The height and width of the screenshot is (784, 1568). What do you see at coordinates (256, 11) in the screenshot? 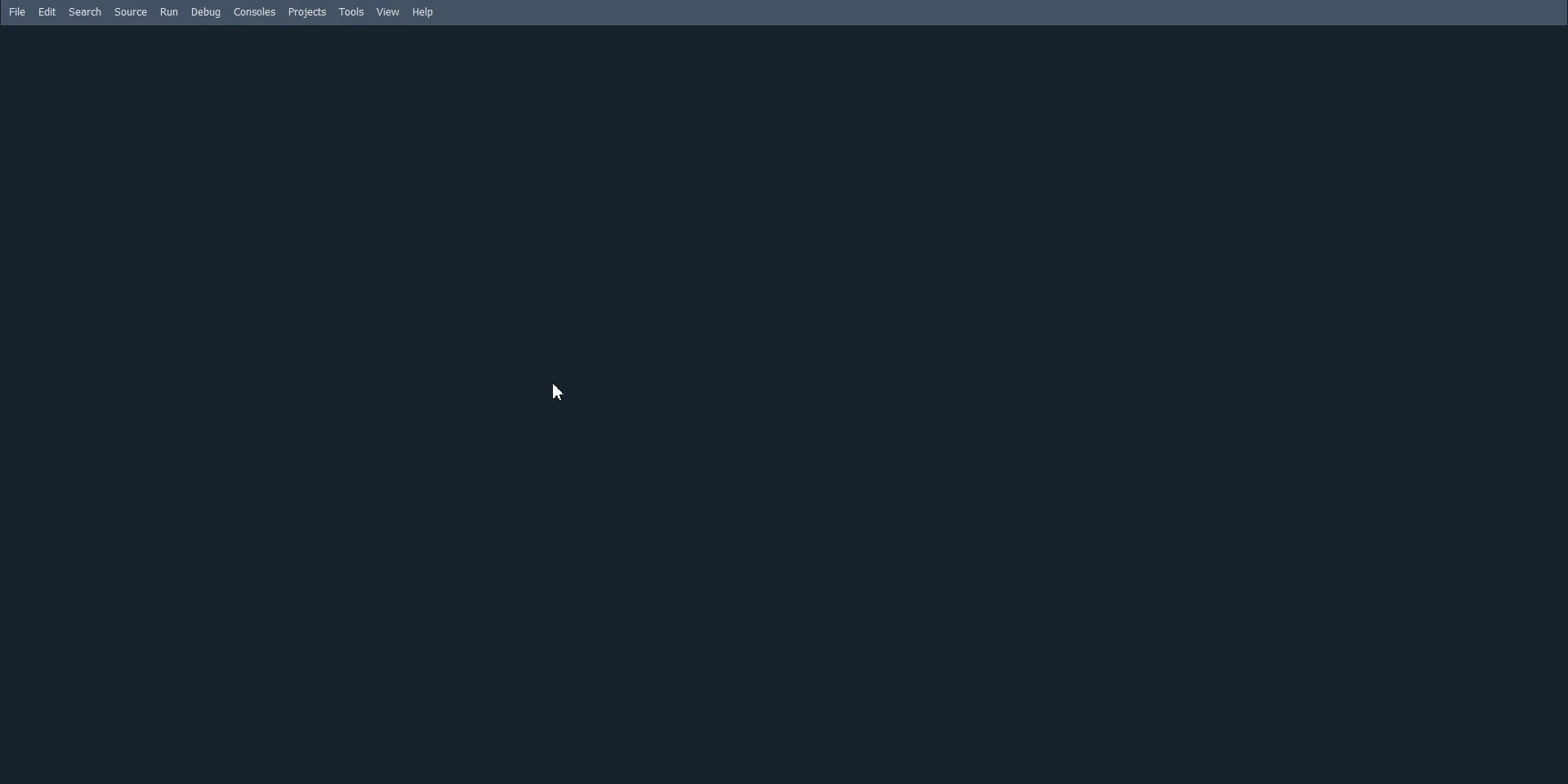
I see `Consoles` at bounding box center [256, 11].